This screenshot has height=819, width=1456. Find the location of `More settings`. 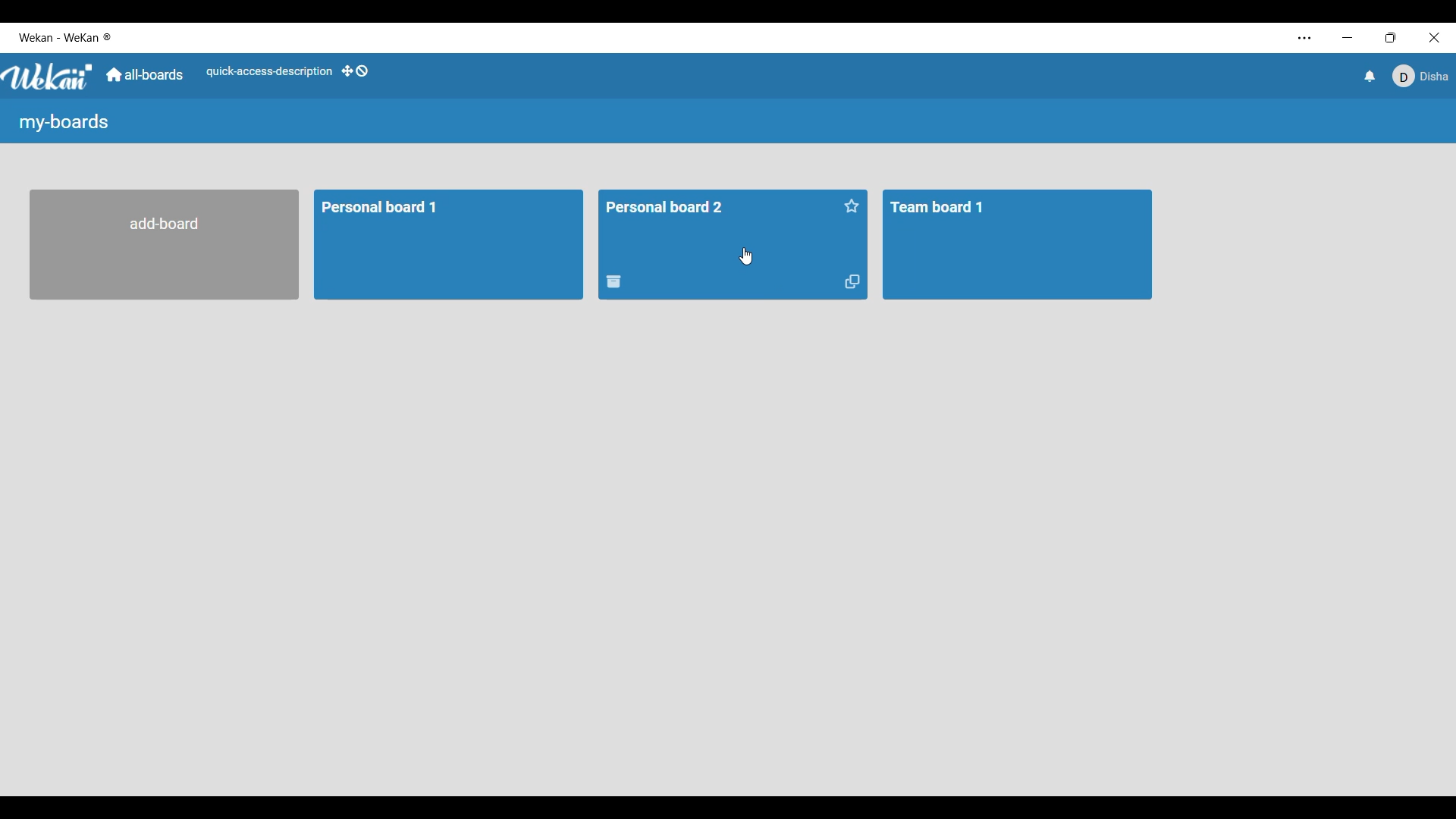

More settings is located at coordinates (1305, 39).